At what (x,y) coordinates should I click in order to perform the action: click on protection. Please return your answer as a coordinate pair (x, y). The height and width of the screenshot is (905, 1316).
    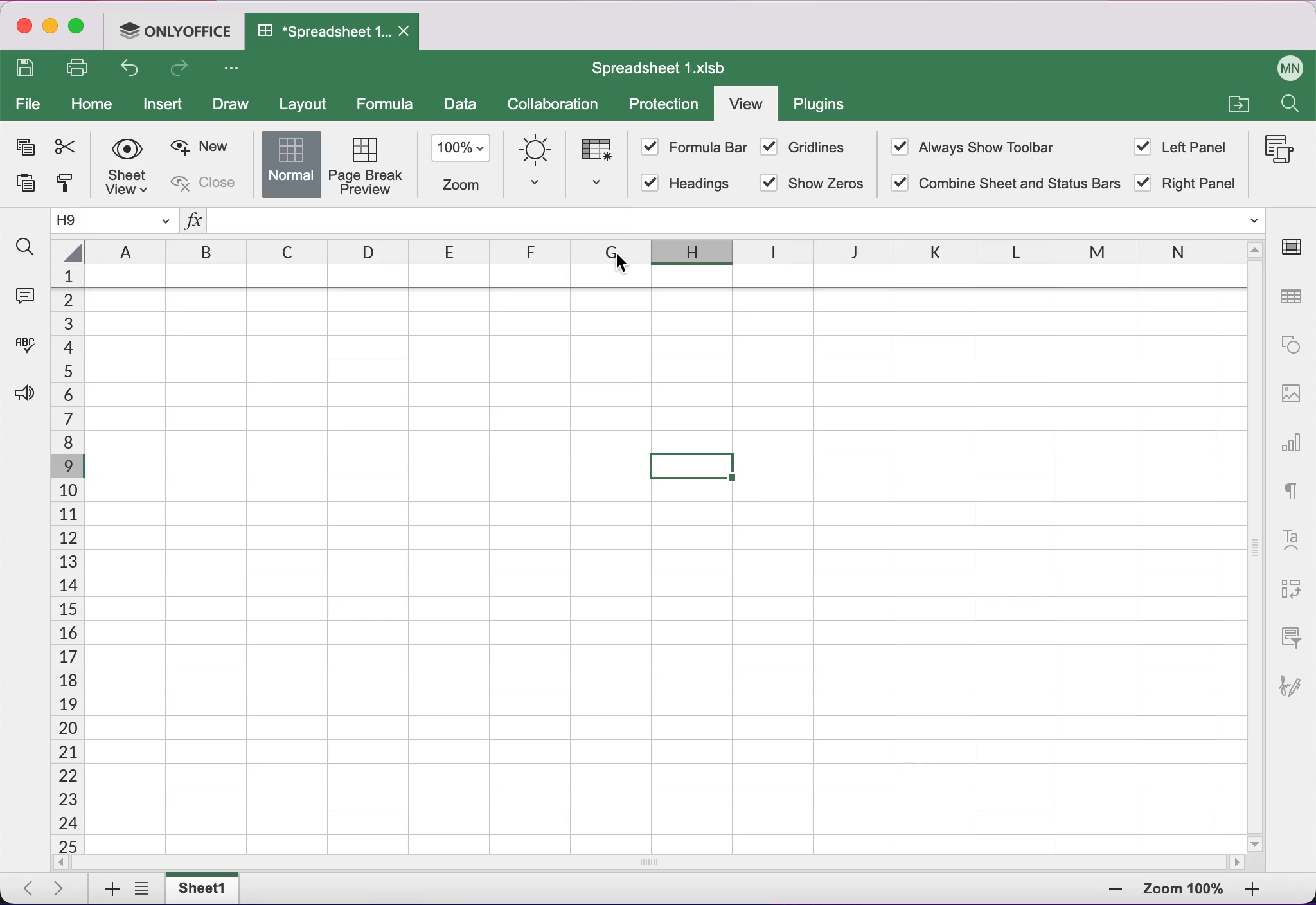
    Looking at the image, I should click on (664, 105).